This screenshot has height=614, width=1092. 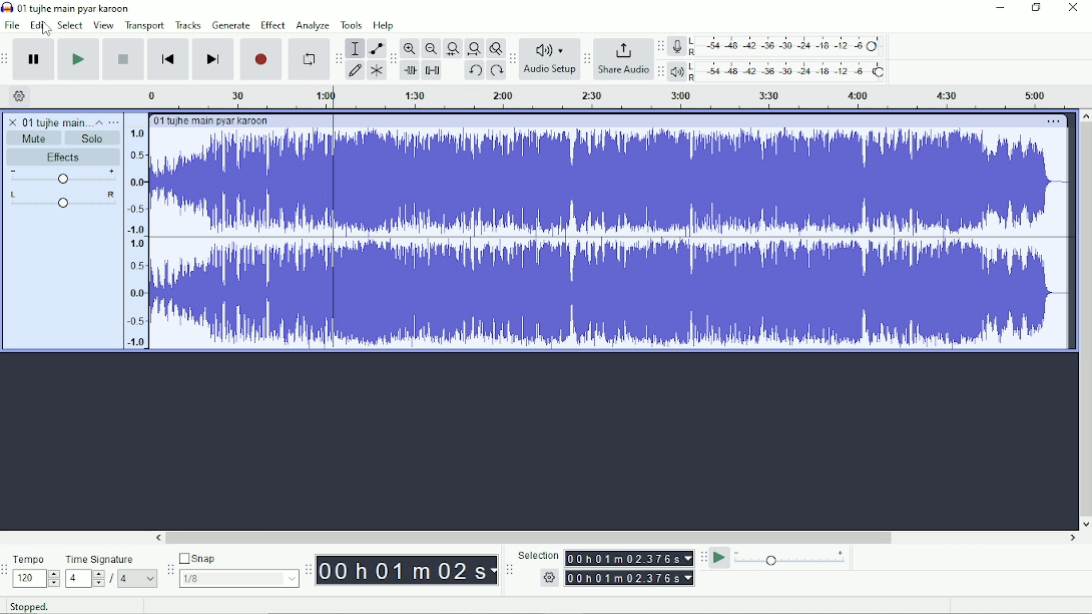 What do you see at coordinates (44, 120) in the screenshot?
I see `Track title` at bounding box center [44, 120].